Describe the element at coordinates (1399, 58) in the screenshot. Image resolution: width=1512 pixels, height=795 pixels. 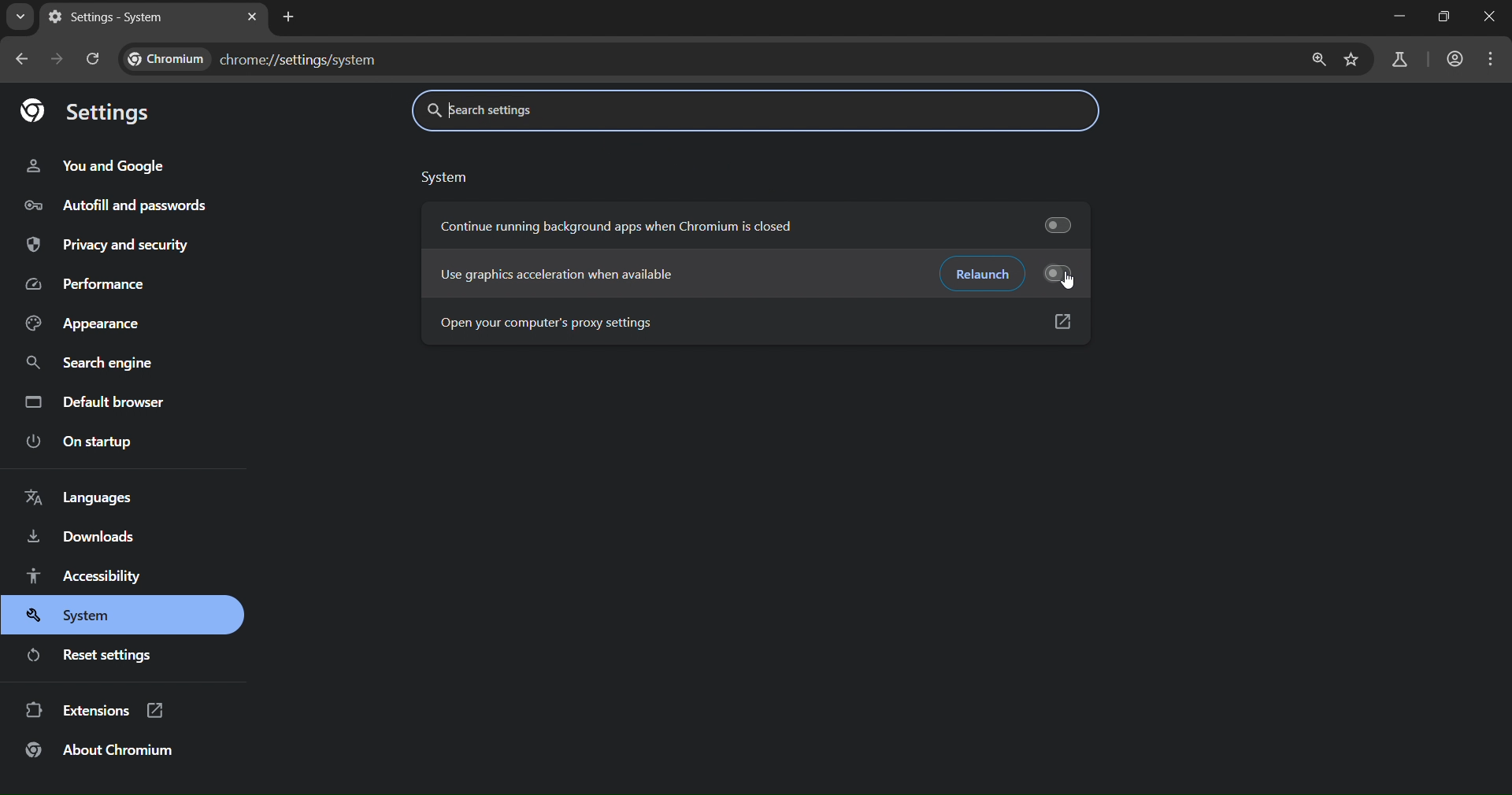
I see `search labs` at that location.